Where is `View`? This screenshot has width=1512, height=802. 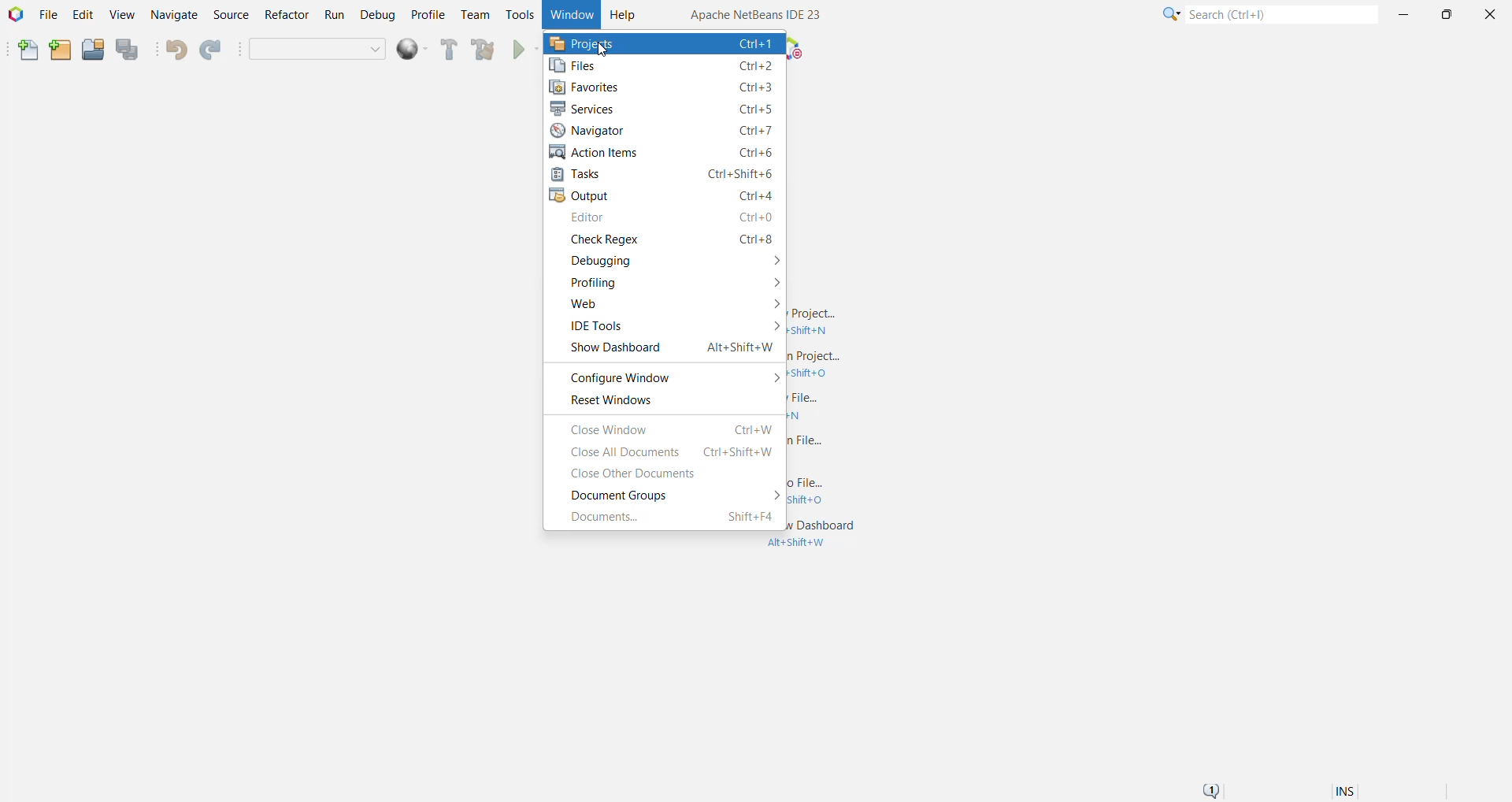 View is located at coordinates (122, 16).